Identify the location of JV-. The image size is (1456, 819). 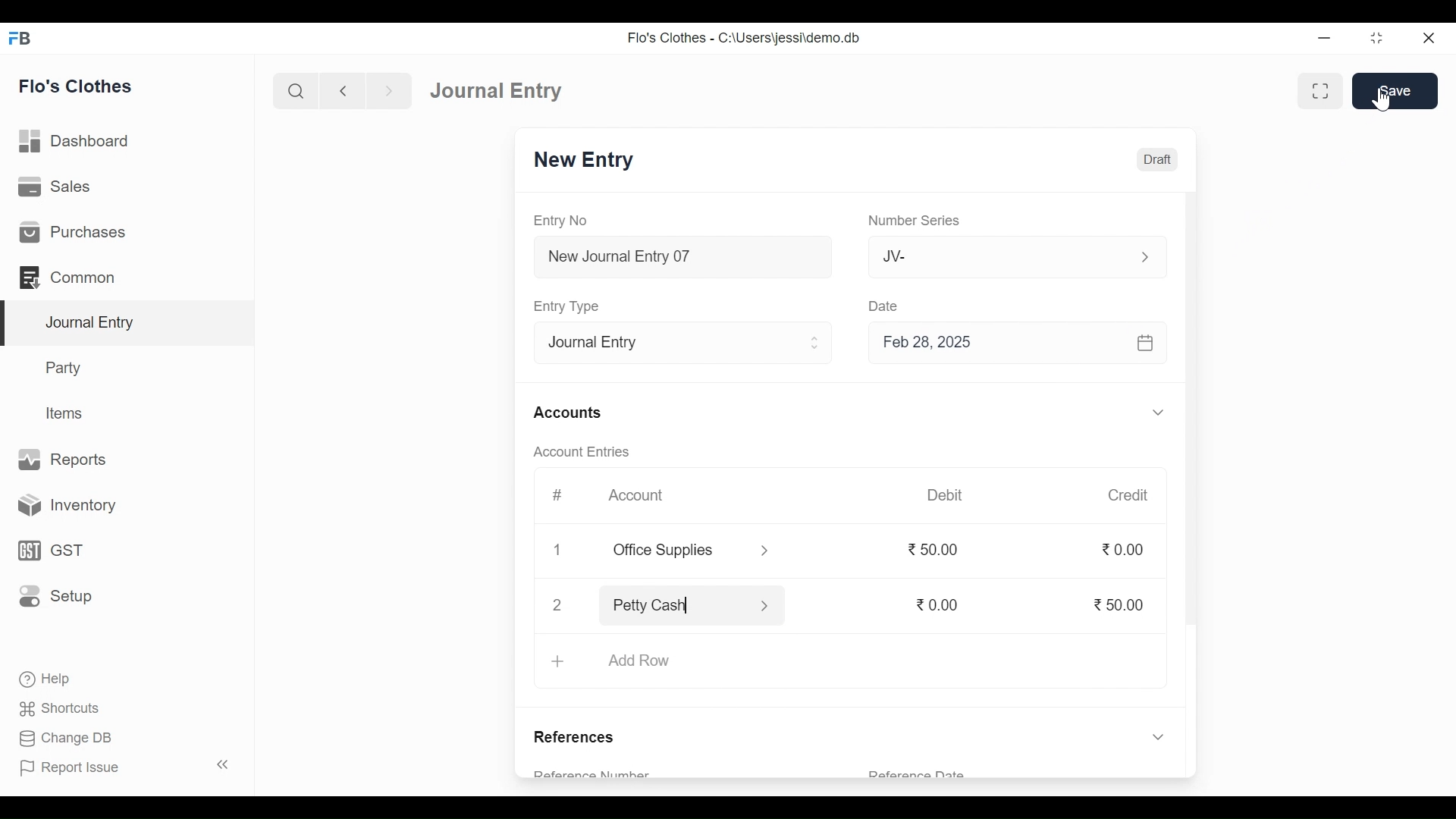
(990, 257).